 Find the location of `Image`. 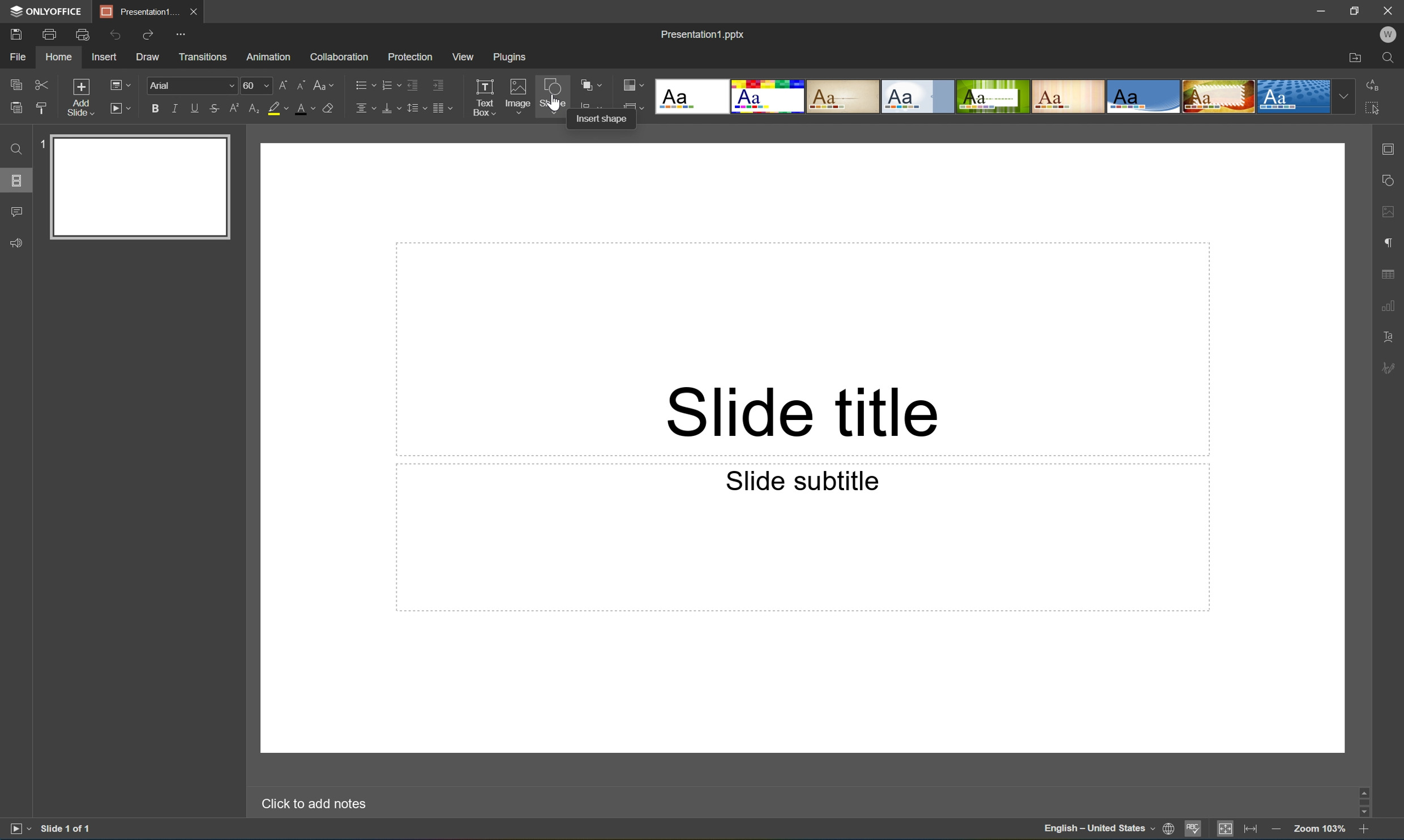

Image is located at coordinates (515, 94).